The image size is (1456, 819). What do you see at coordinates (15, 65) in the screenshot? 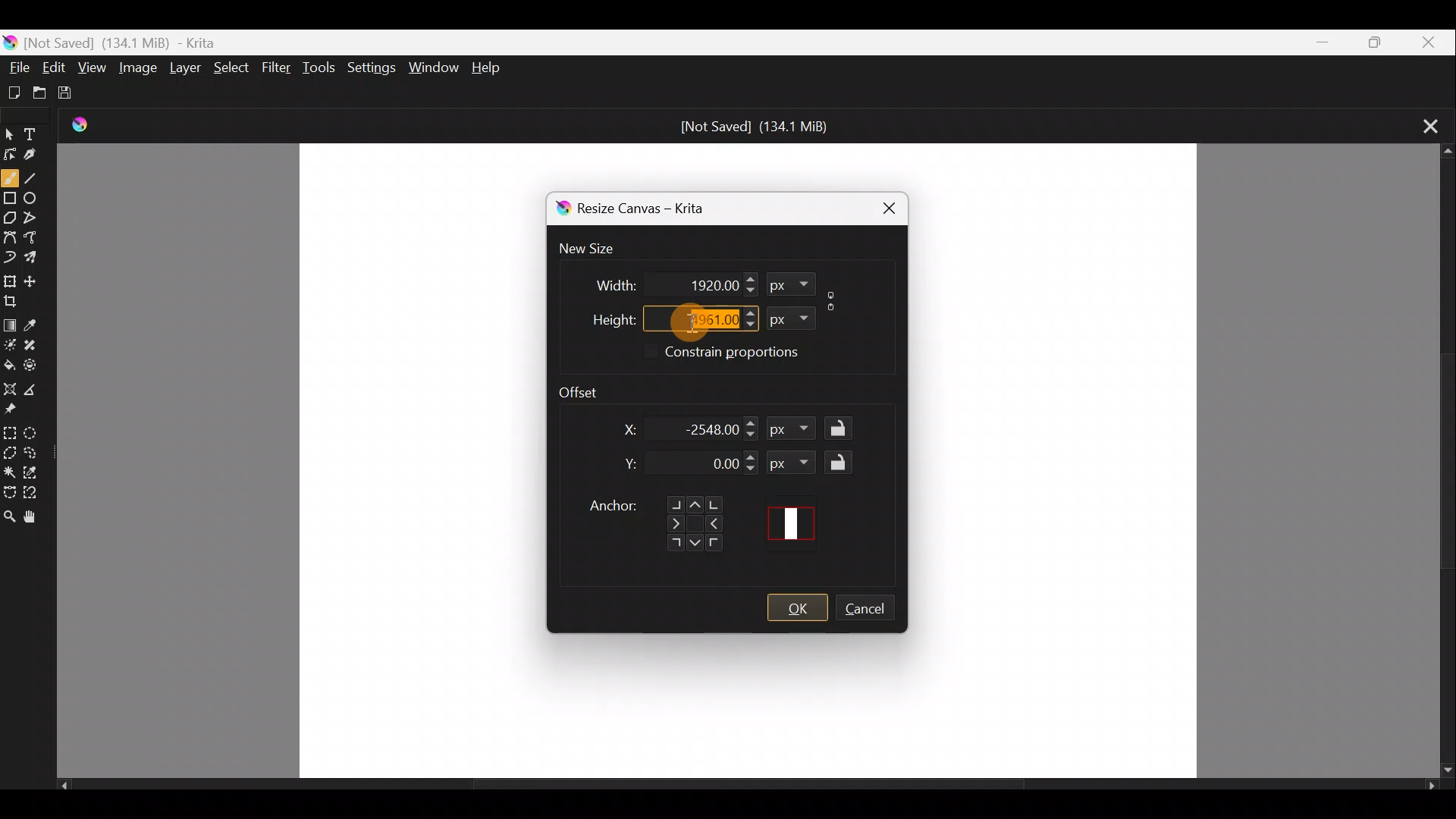
I see `File` at bounding box center [15, 65].